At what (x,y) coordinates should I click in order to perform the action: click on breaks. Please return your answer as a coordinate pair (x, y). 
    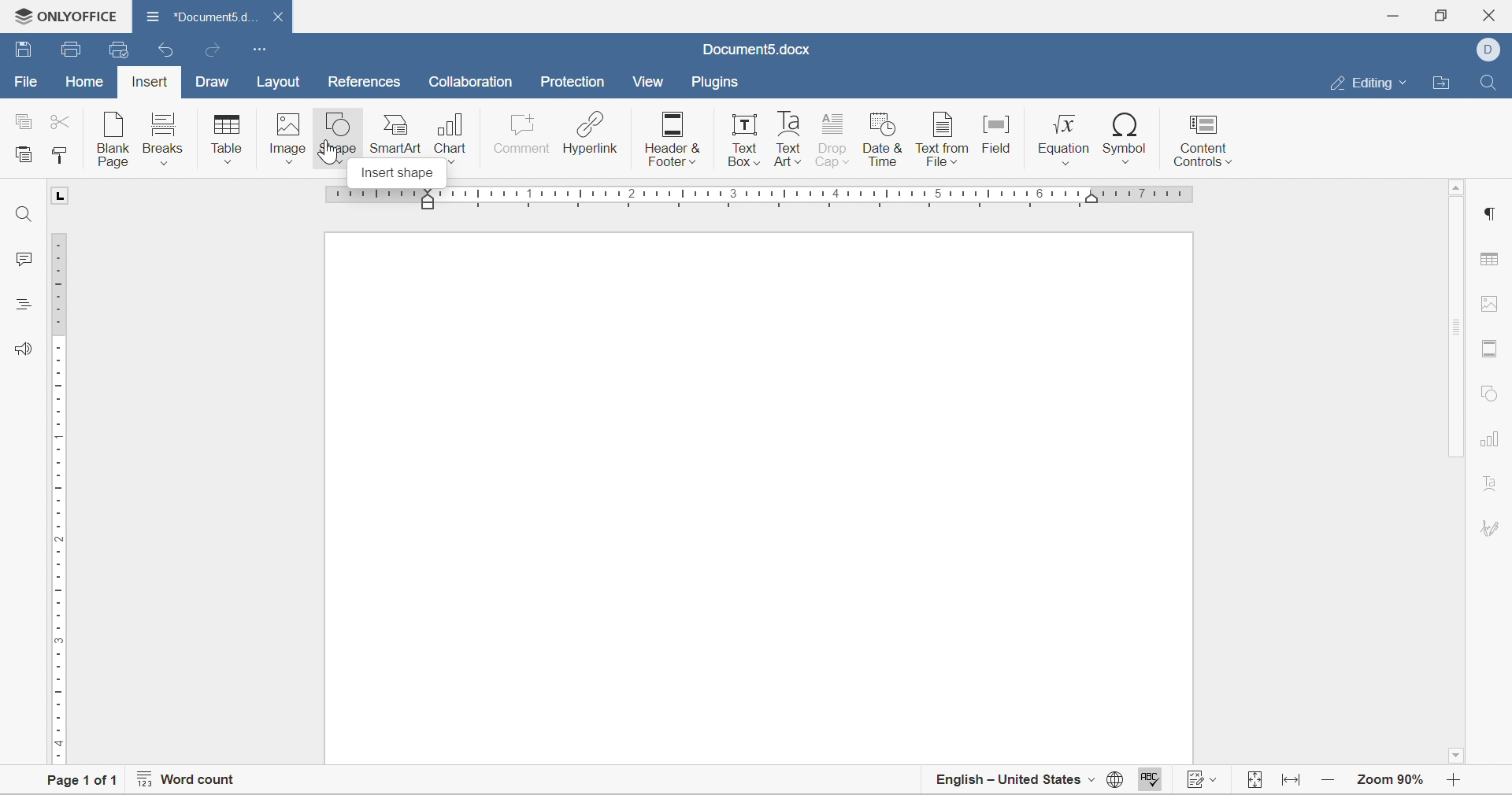
    Looking at the image, I should click on (166, 135).